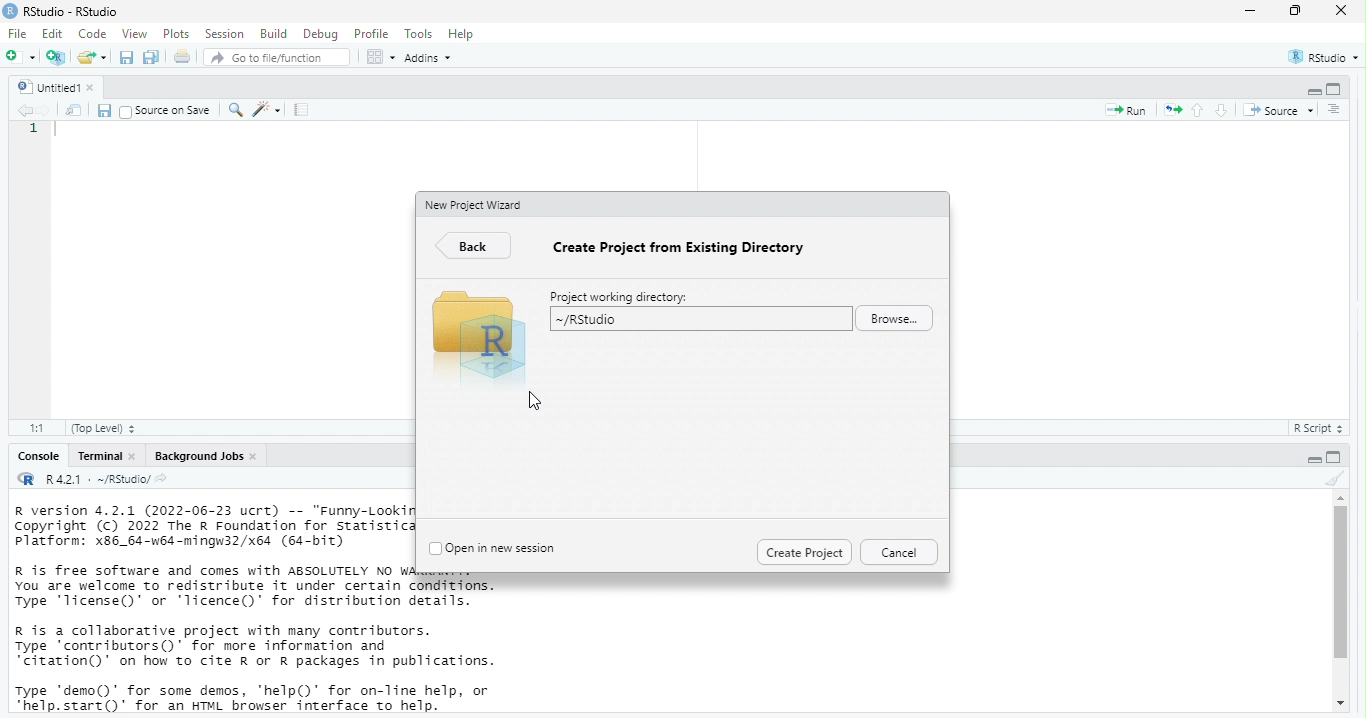 This screenshot has width=1366, height=718. I want to click on open an existing file, so click(93, 56).